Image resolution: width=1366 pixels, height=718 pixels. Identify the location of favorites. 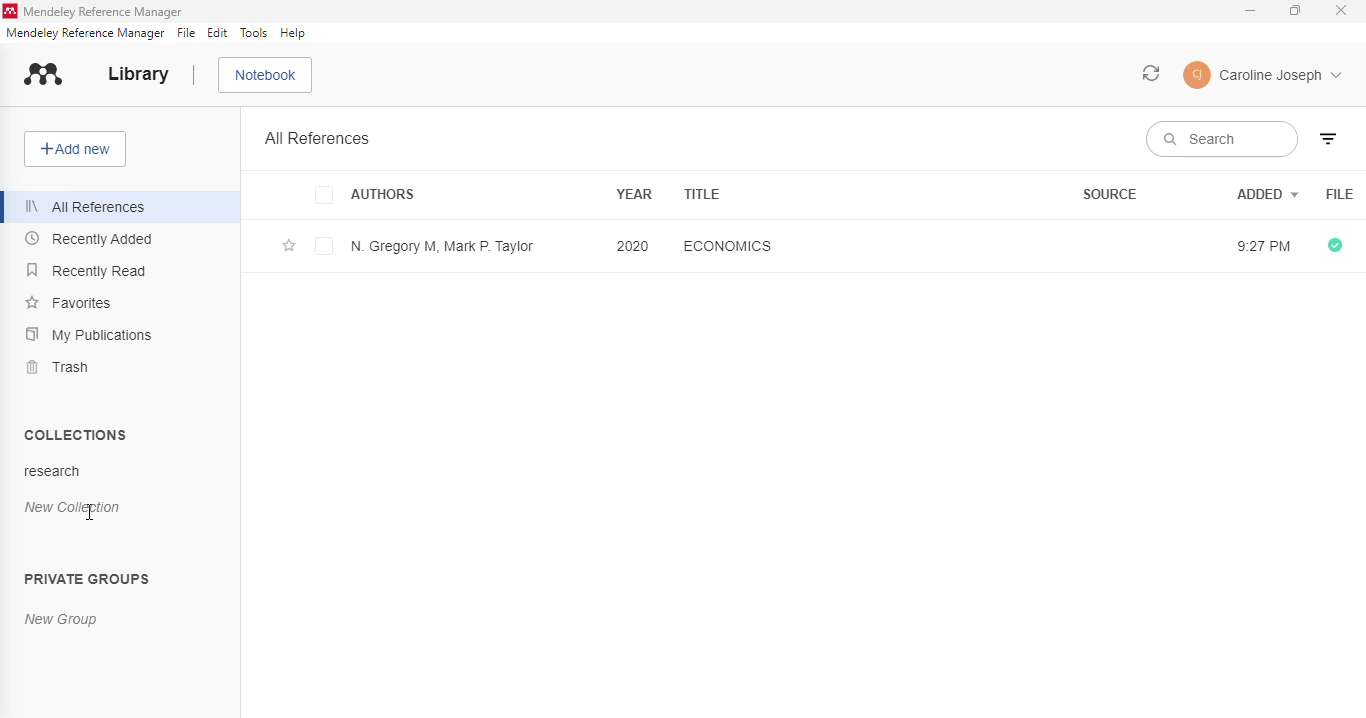
(68, 302).